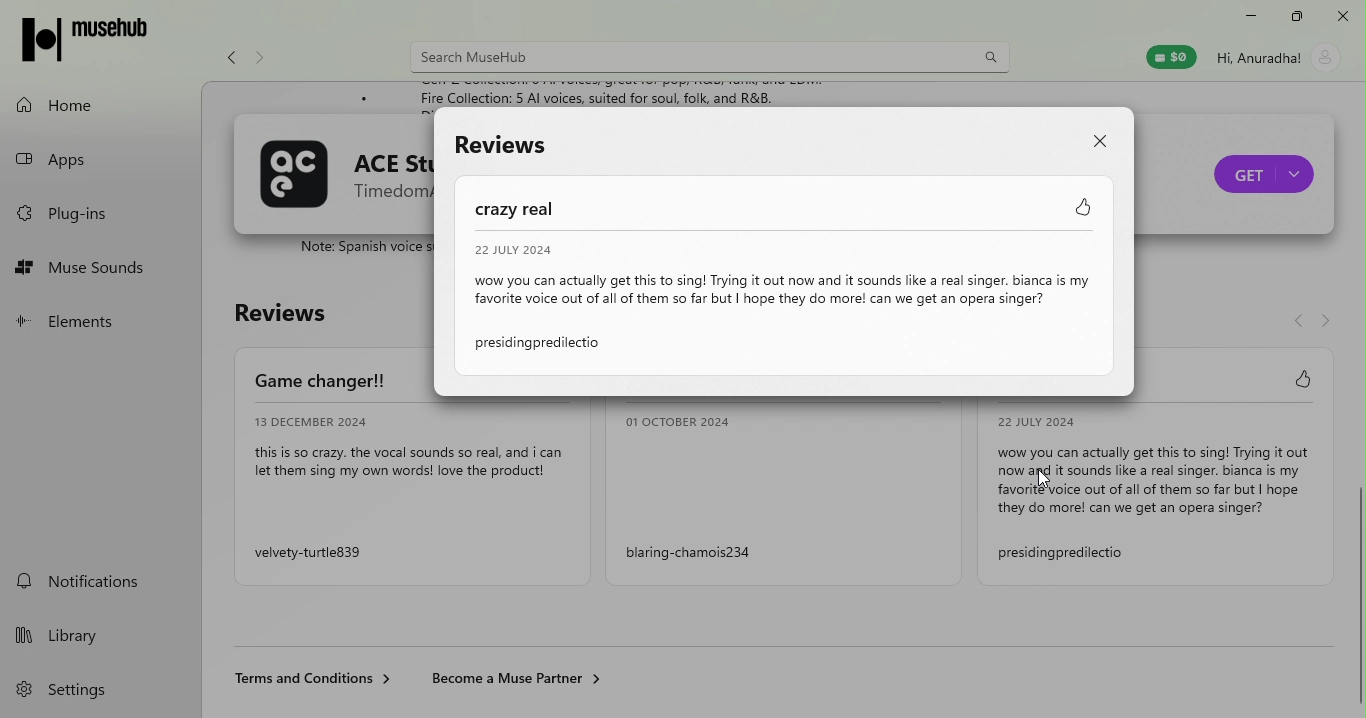  I want to click on close, so click(1346, 17).